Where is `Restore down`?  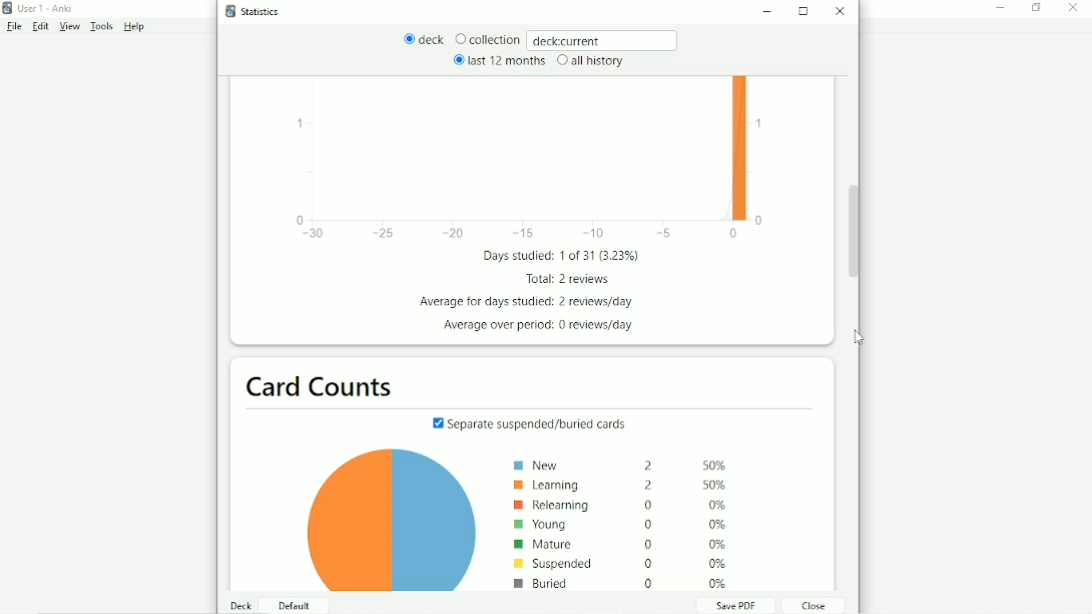
Restore down is located at coordinates (1037, 8).